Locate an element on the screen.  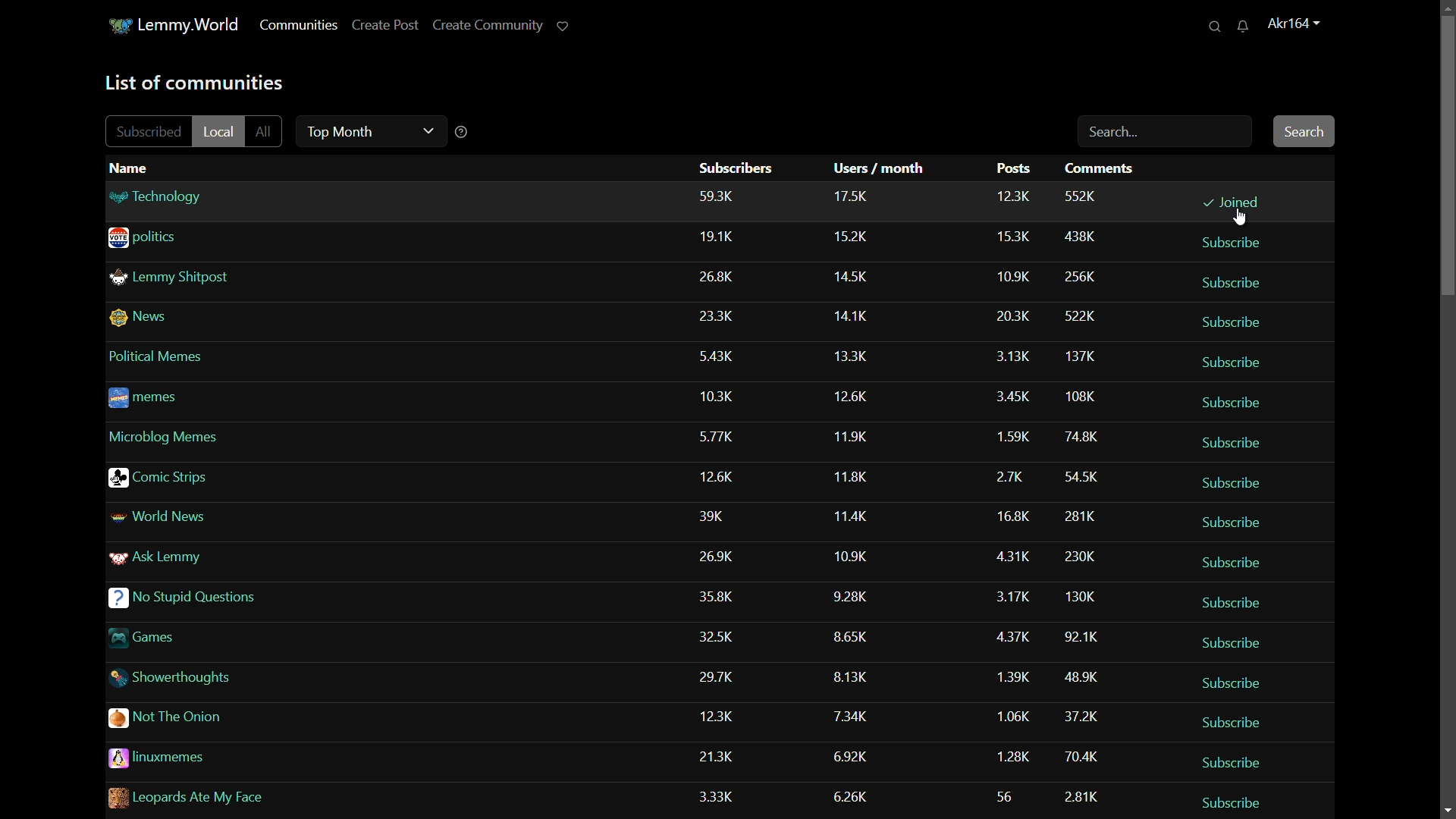
subscribe/unsubscribe is located at coordinates (1242, 681).